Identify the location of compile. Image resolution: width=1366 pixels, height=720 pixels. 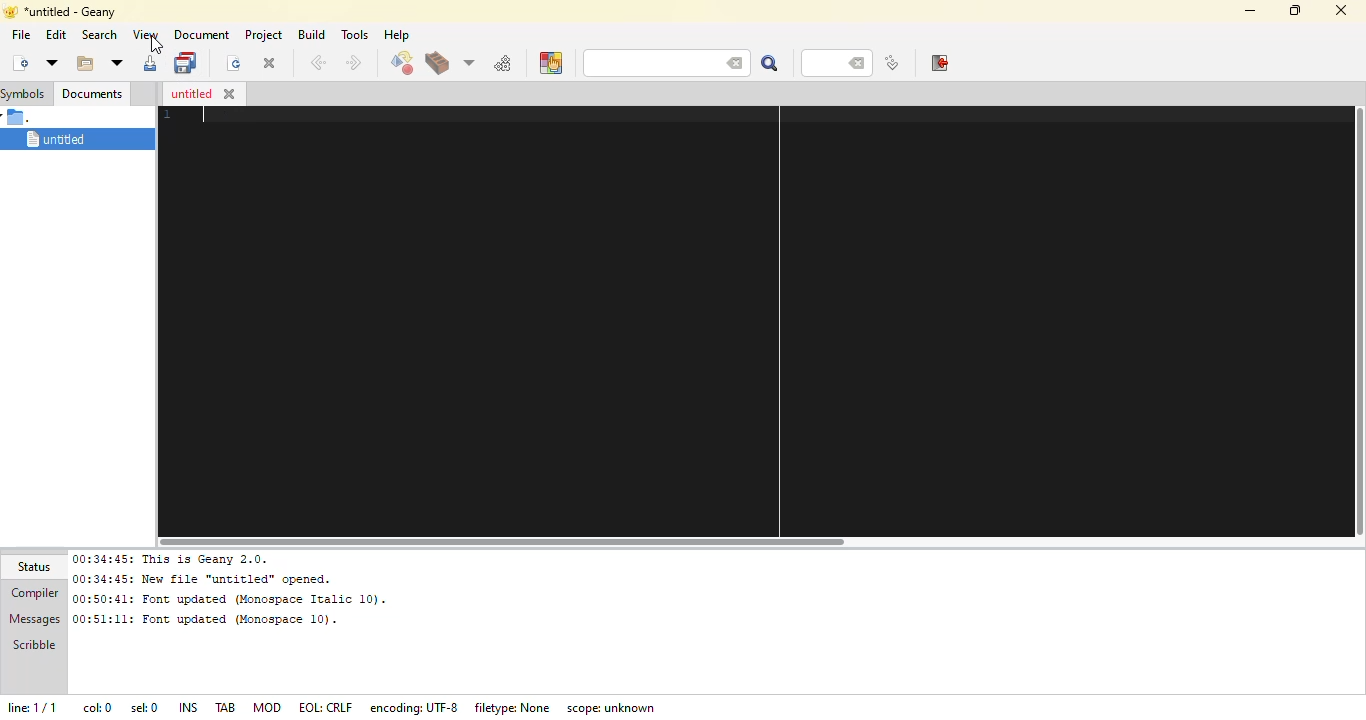
(401, 64).